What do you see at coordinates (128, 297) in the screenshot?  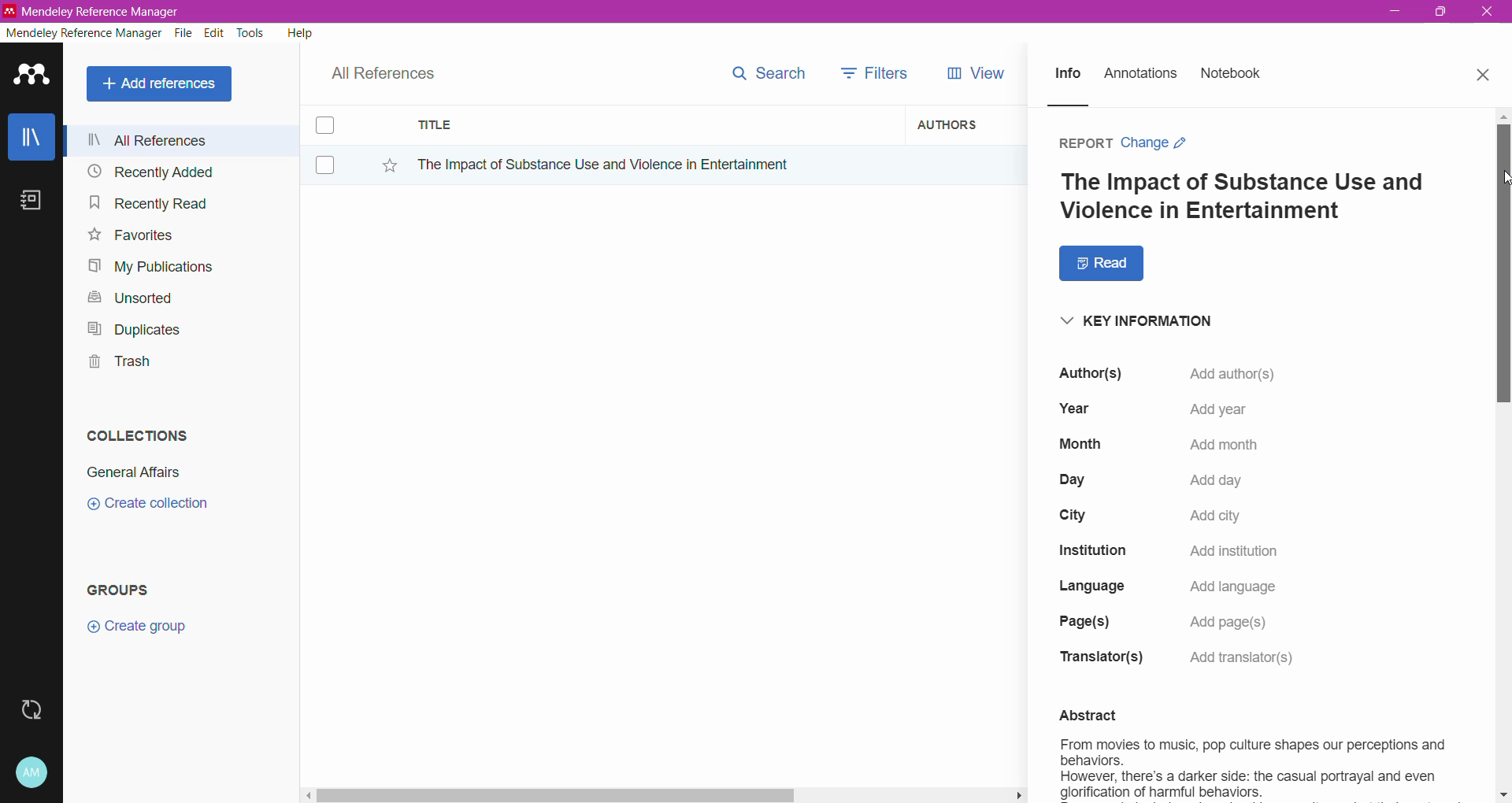 I see `Unsorted` at bounding box center [128, 297].